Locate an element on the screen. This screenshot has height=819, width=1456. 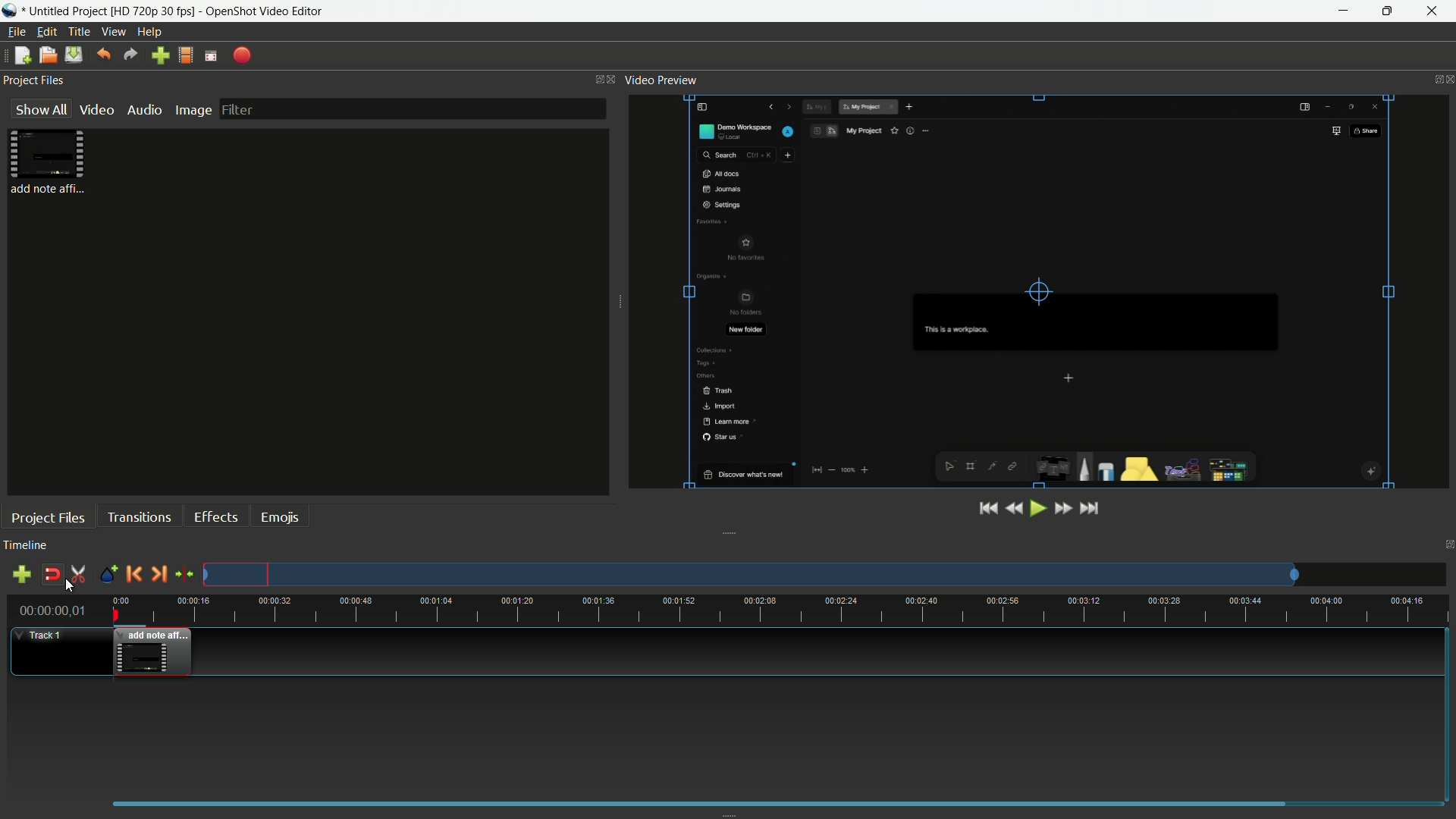
import files is located at coordinates (158, 55).